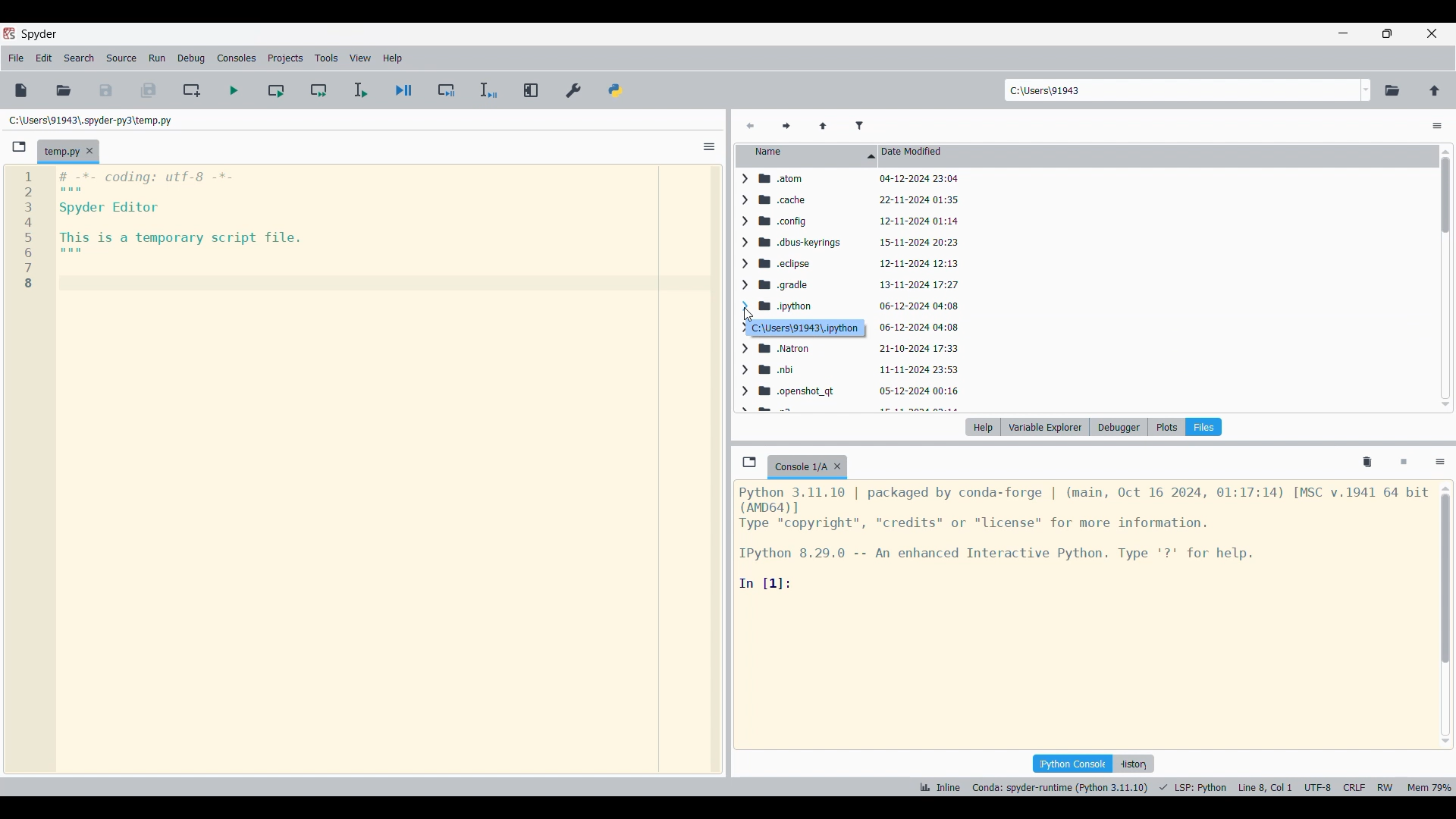 The height and width of the screenshot is (819, 1456). What do you see at coordinates (447, 89) in the screenshot?
I see `Debug cell` at bounding box center [447, 89].